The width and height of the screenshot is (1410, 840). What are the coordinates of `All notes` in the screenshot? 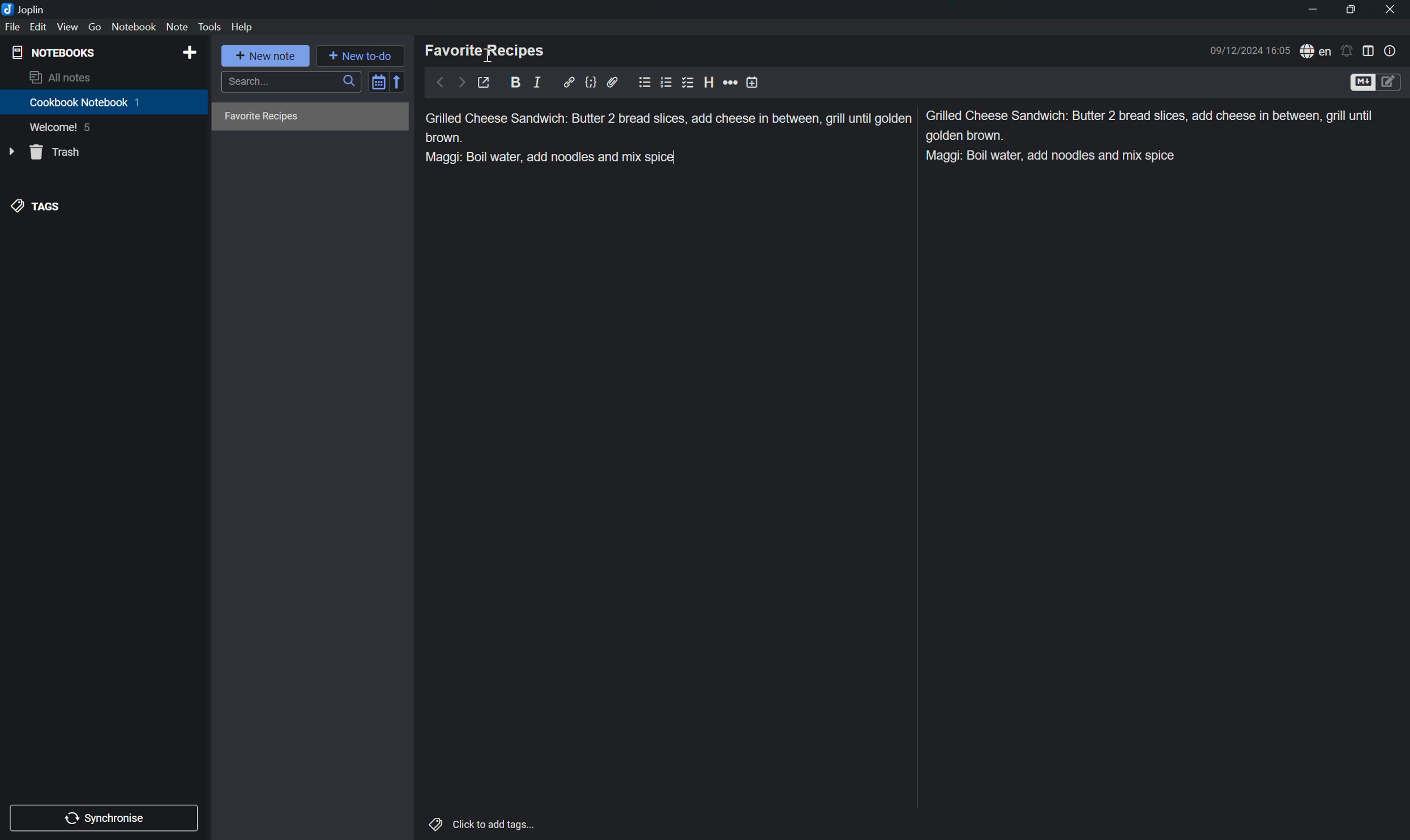 It's located at (60, 78).